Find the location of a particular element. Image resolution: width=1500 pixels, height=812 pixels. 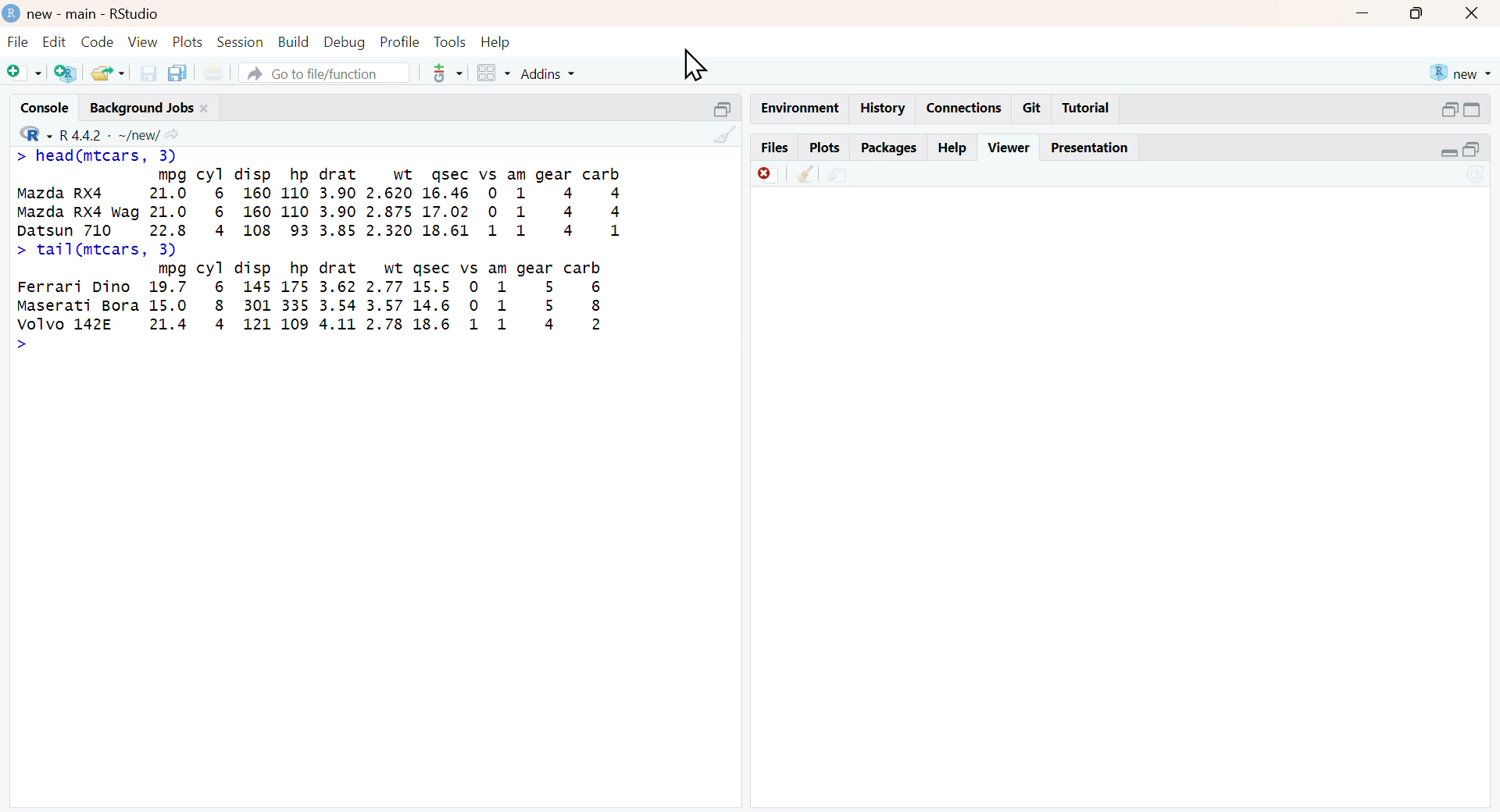

close is located at coordinates (1476, 15).